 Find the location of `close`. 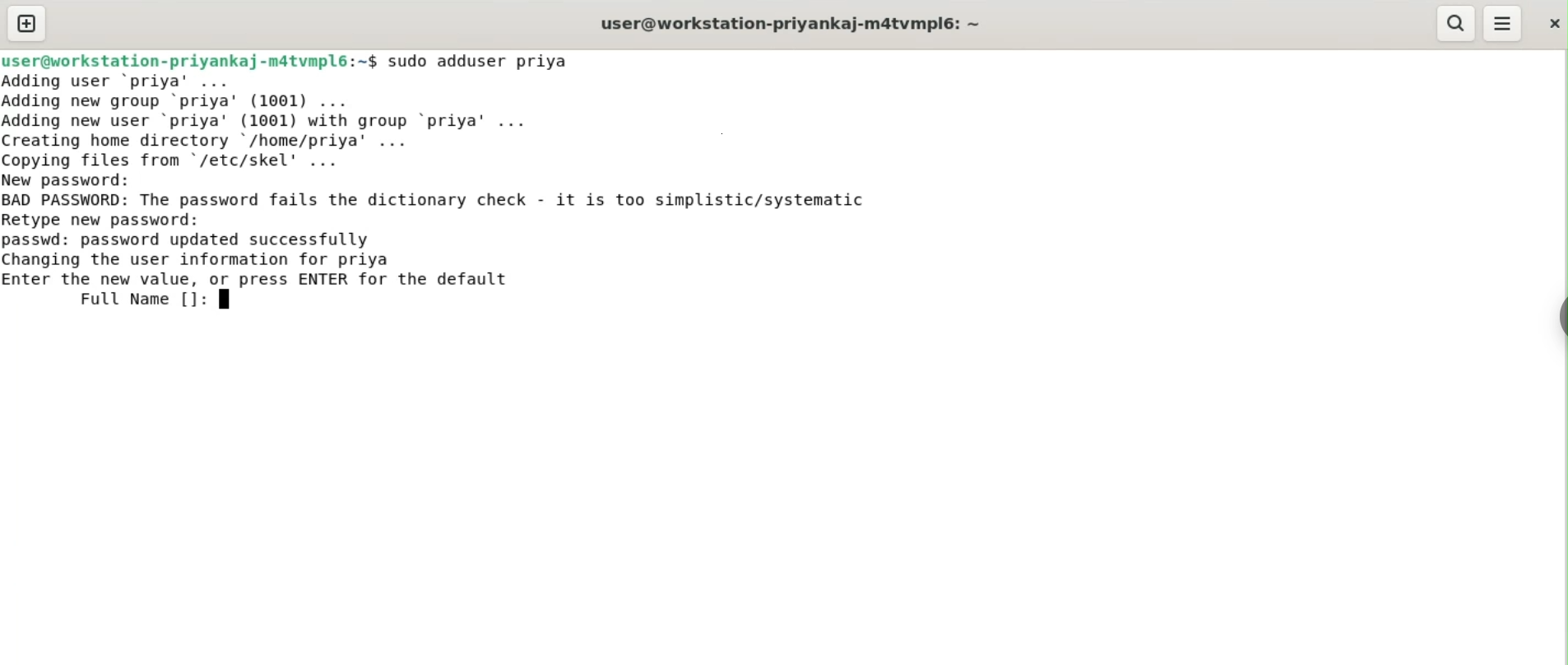

close is located at coordinates (1552, 19).